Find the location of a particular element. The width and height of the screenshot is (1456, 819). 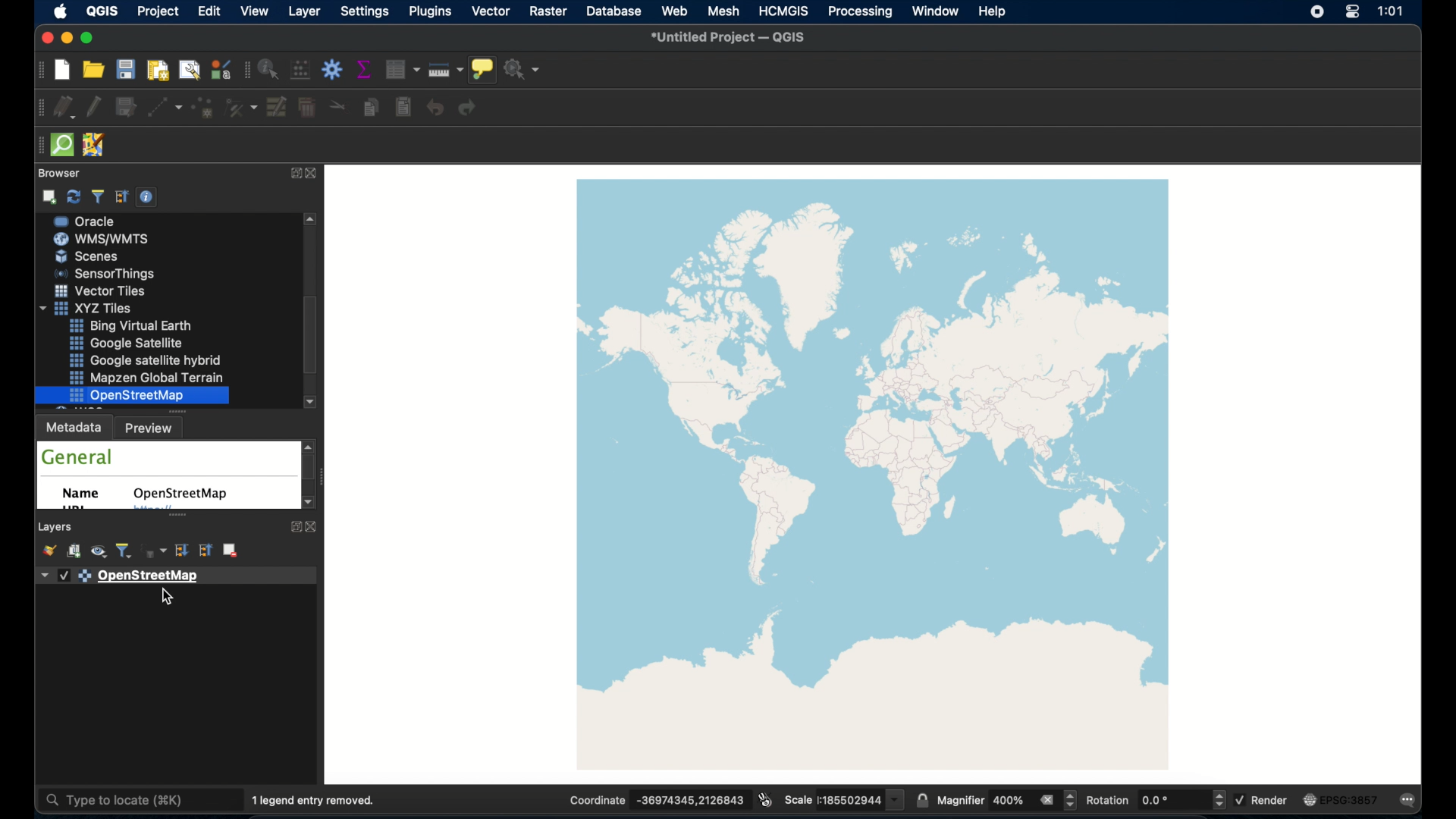

processing is located at coordinates (862, 12).